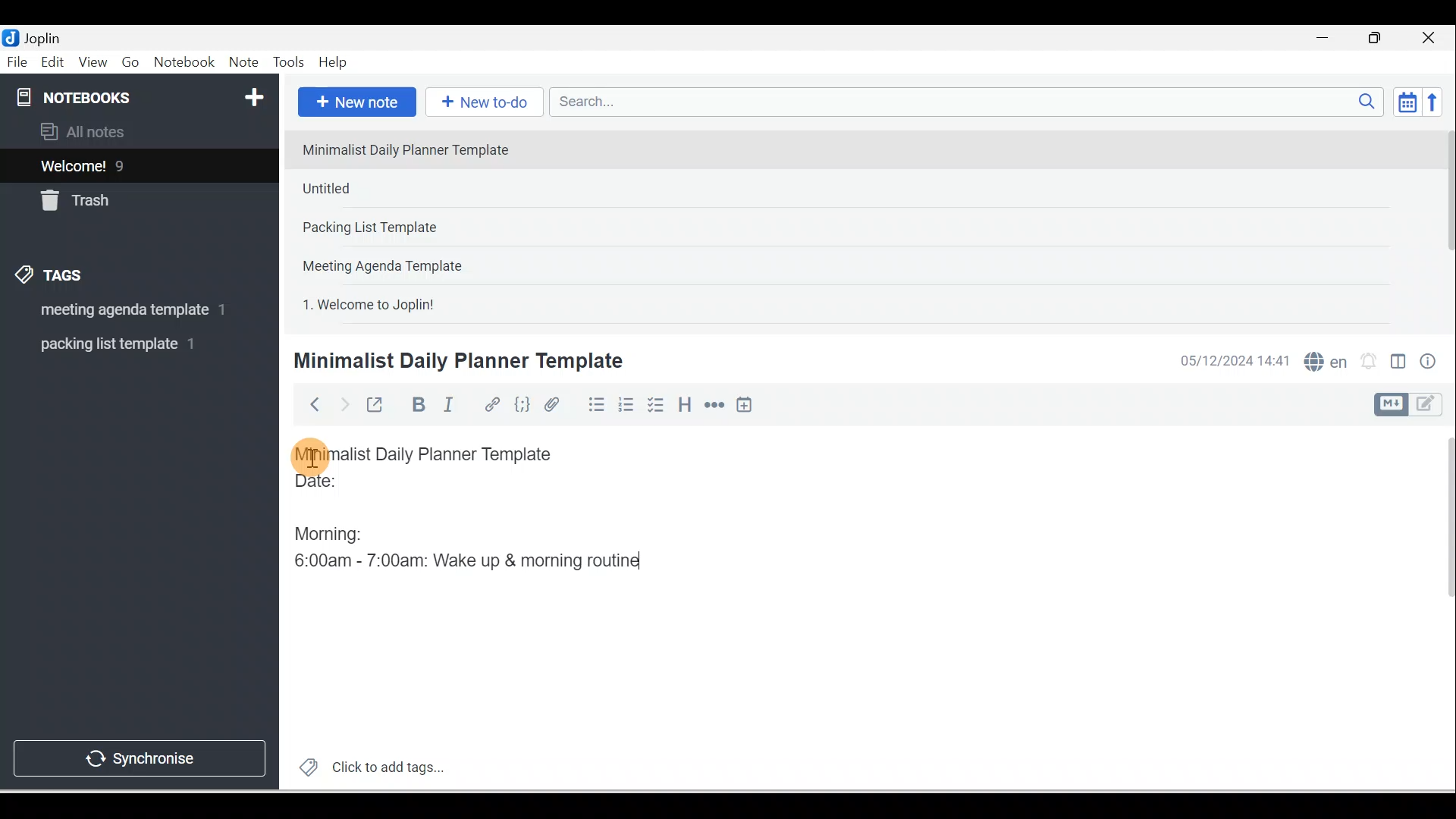 The width and height of the screenshot is (1456, 819). What do you see at coordinates (1444, 224) in the screenshot?
I see `Scroll bar` at bounding box center [1444, 224].